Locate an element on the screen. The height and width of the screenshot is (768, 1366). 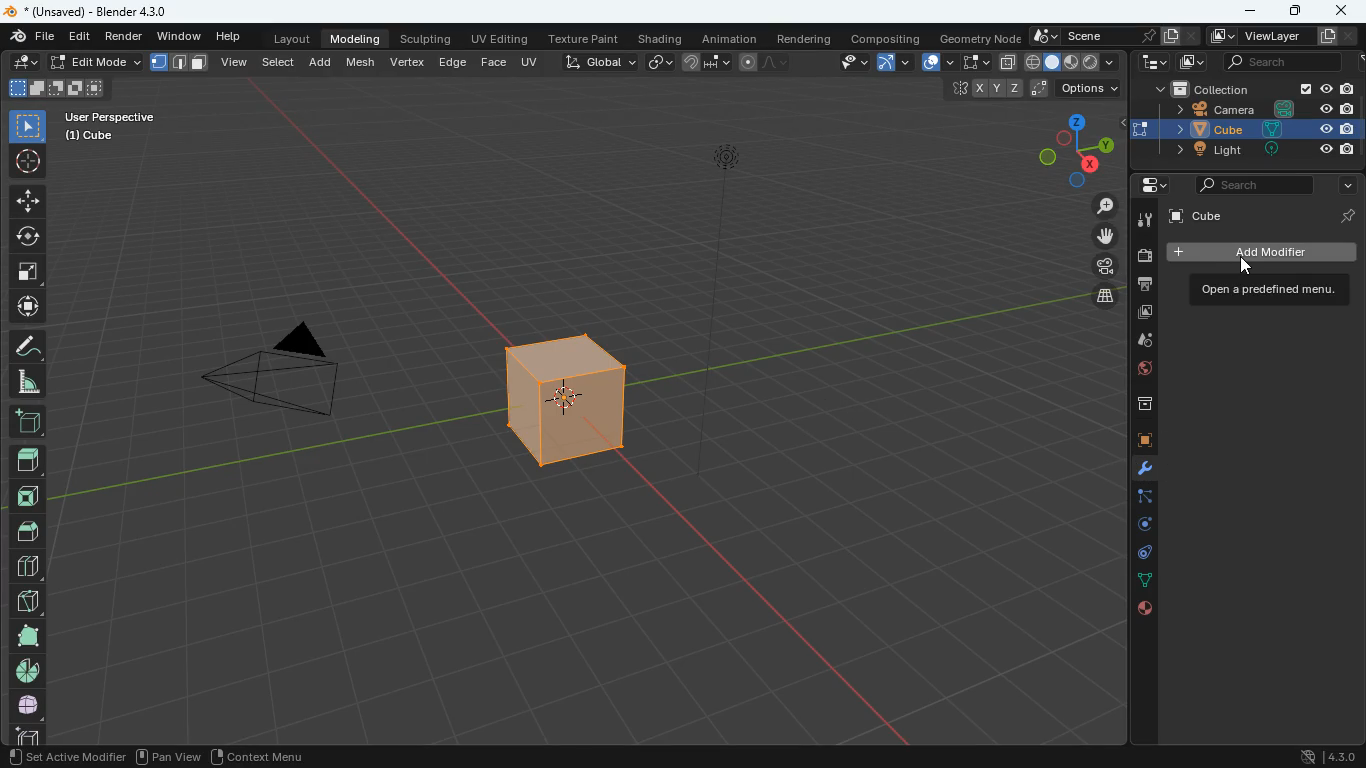
mesh is located at coordinates (363, 60).